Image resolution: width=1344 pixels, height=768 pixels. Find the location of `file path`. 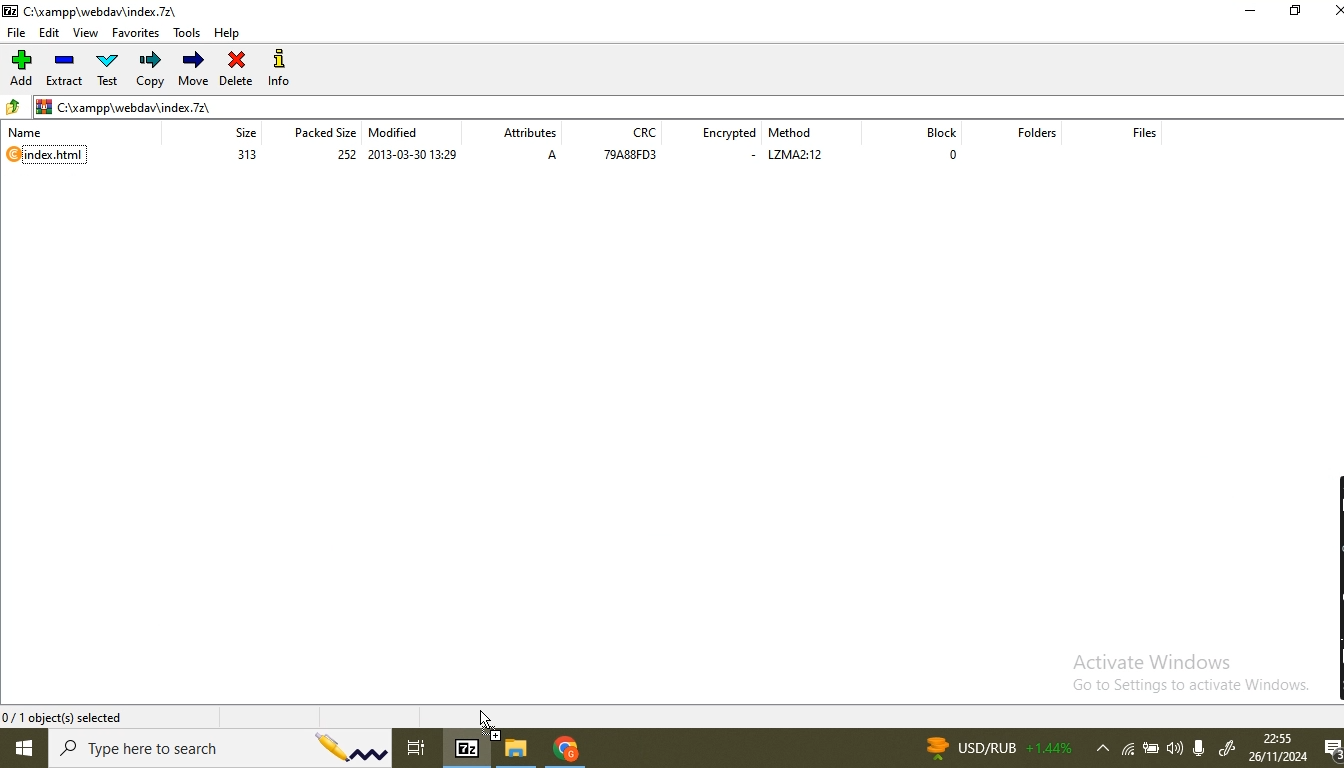

file path is located at coordinates (688, 103).